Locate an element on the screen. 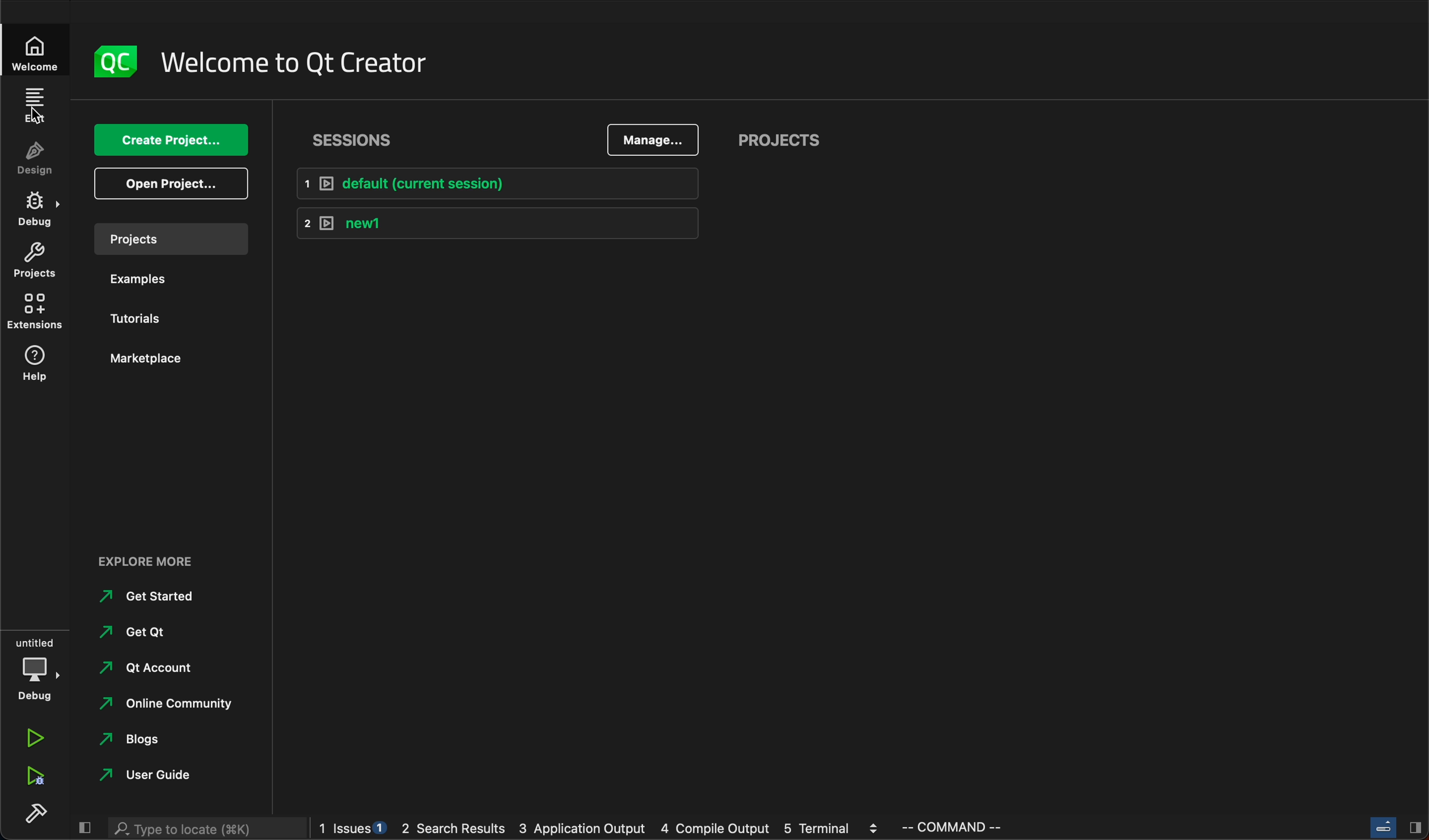 The width and height of the screenshot is (1429, 840). guide is located at coordinates (147, 777).